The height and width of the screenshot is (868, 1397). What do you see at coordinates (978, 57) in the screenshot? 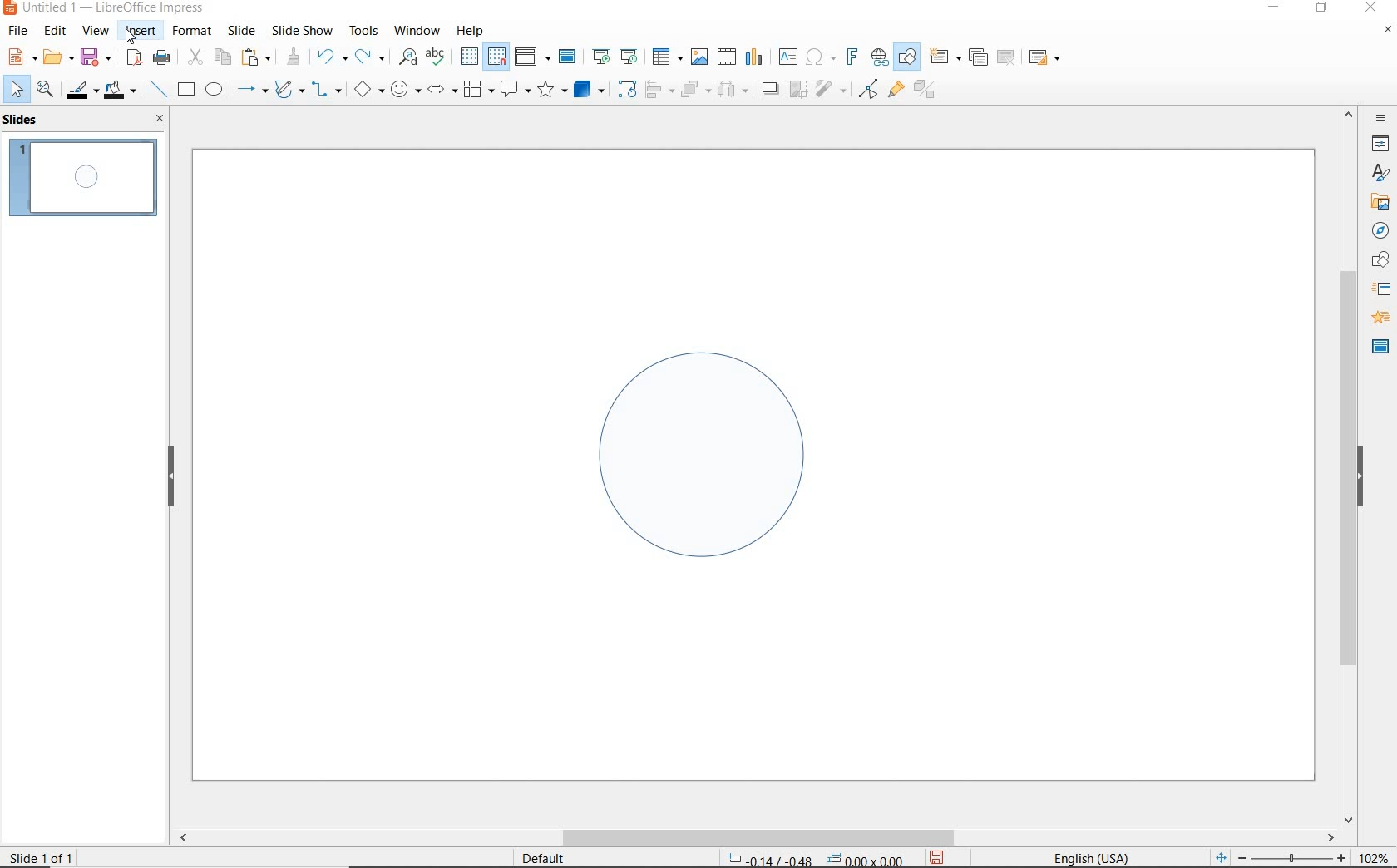
I see `duplicate slide` at bounding box center [978, 57].